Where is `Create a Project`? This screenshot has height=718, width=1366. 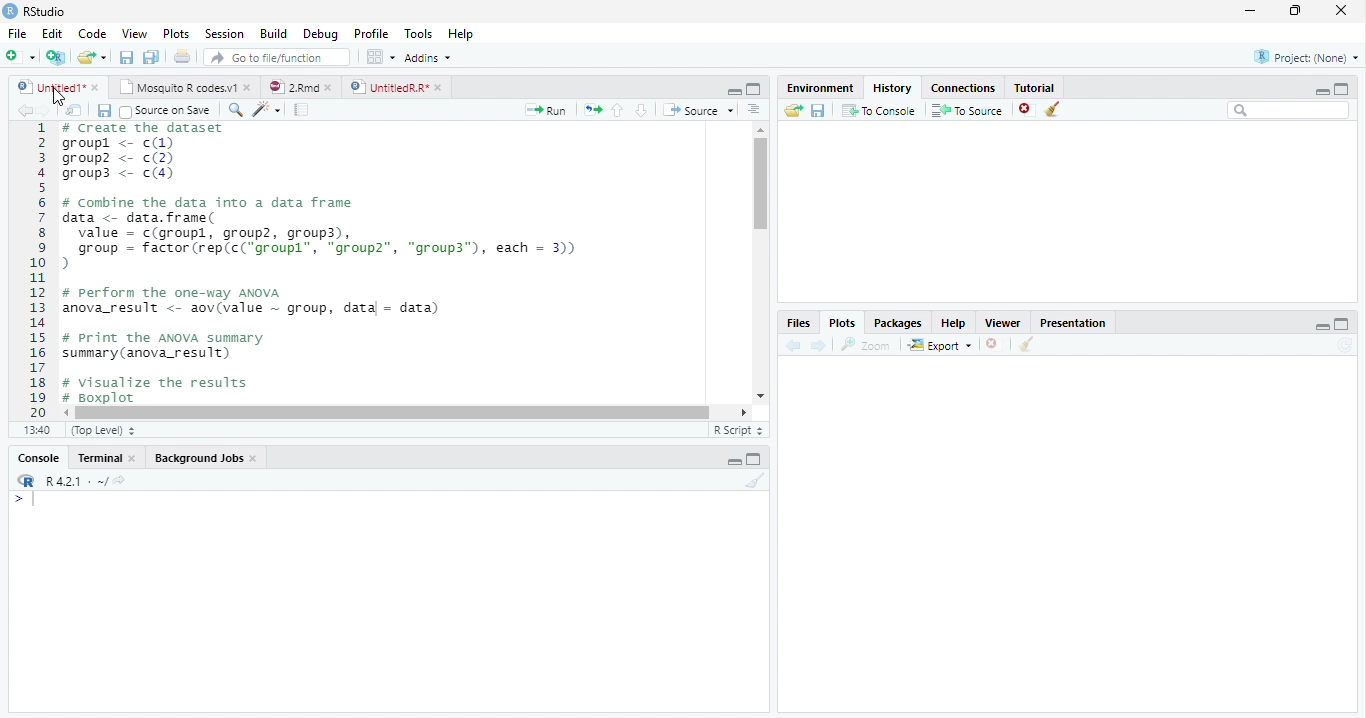 Create a Project is located at coordinates (56, 57).